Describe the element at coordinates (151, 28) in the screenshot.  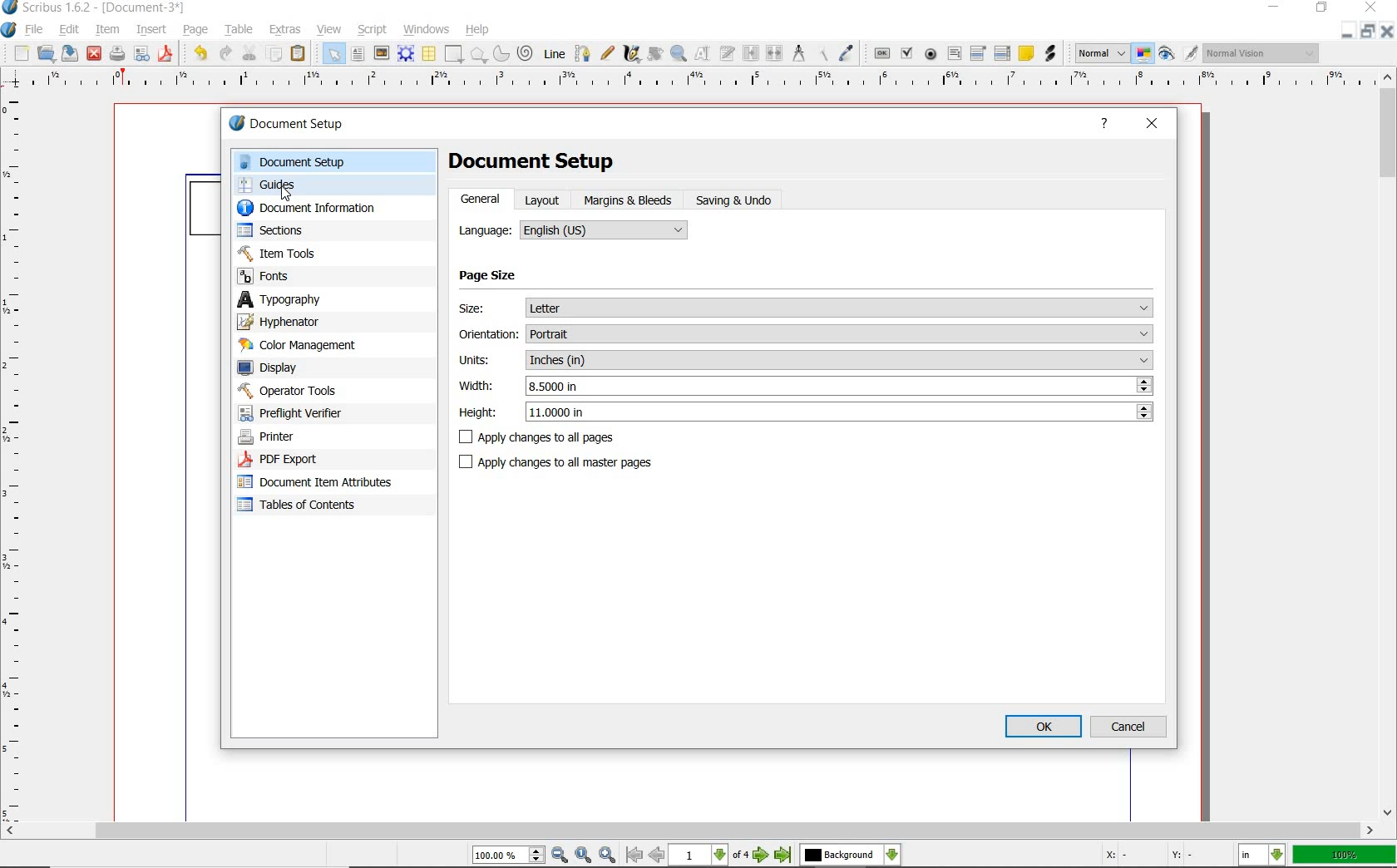
I see `insert` at that location.